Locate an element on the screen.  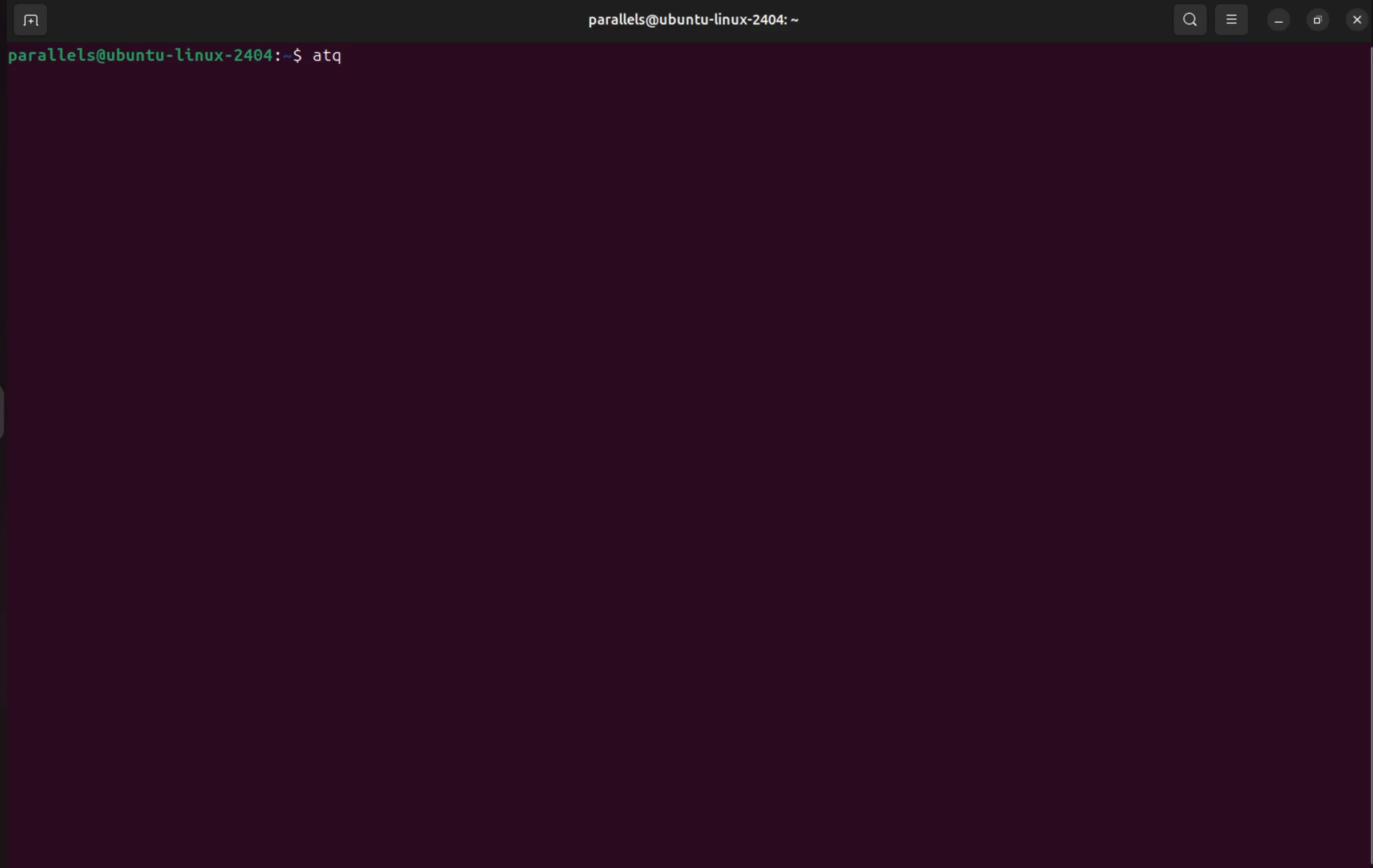
resize is located at coordinates (1316, 21).